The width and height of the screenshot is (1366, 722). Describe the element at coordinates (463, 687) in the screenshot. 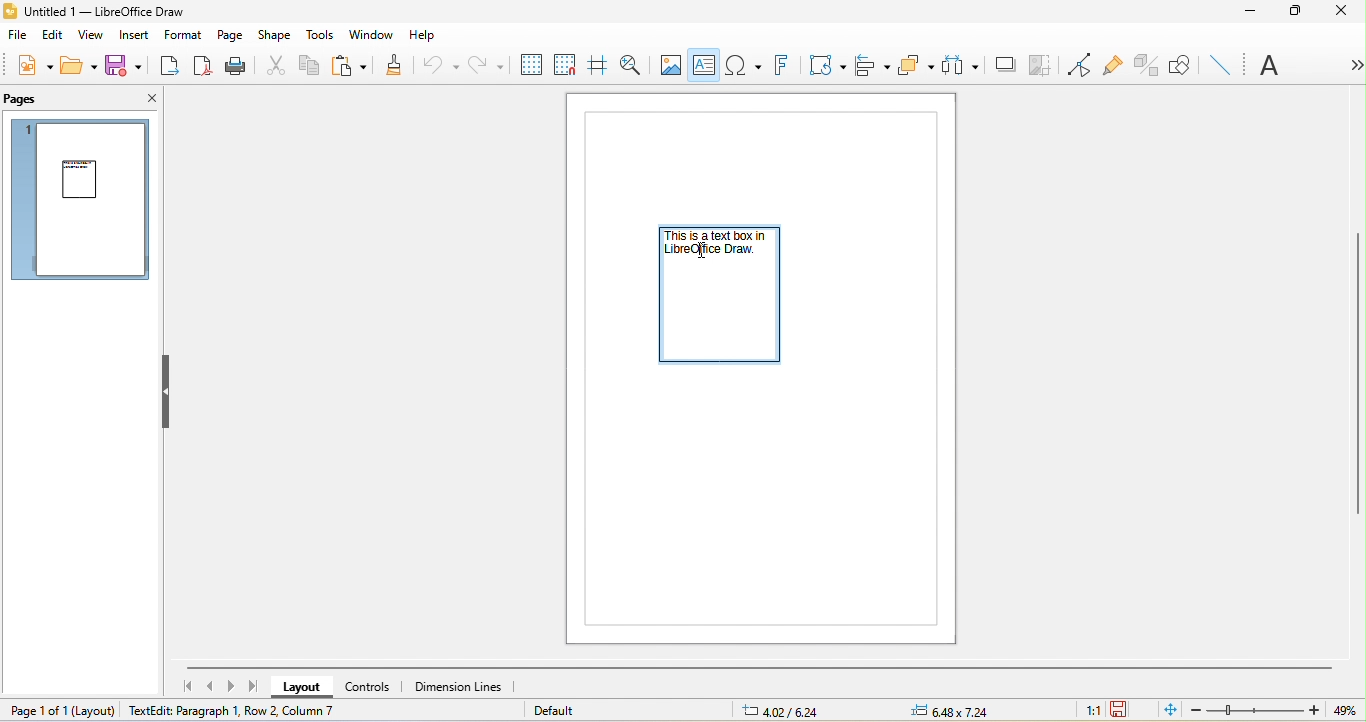

I see `dimension lines` at that location.